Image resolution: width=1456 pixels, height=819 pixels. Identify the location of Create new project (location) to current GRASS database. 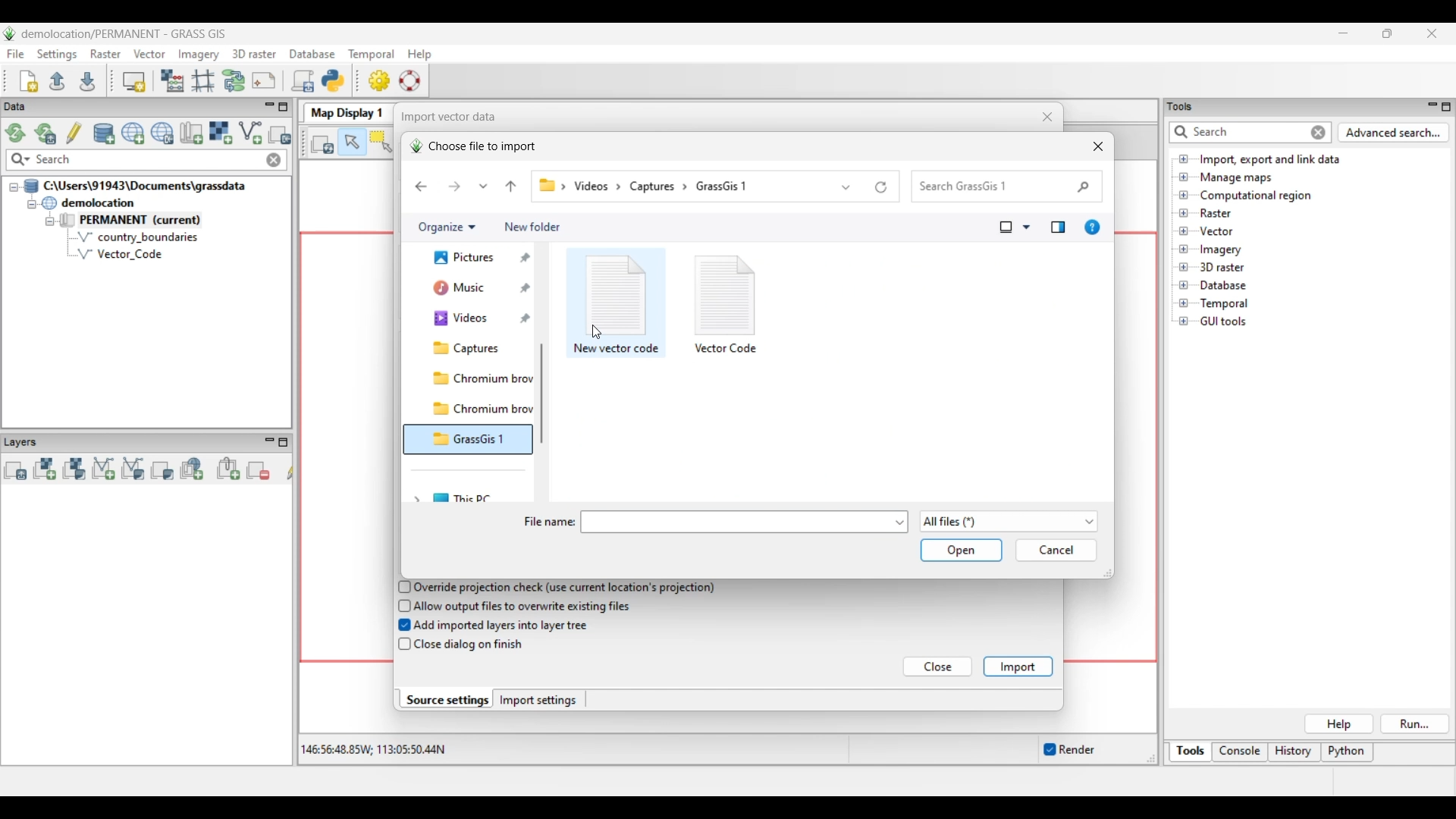
(133, 133).